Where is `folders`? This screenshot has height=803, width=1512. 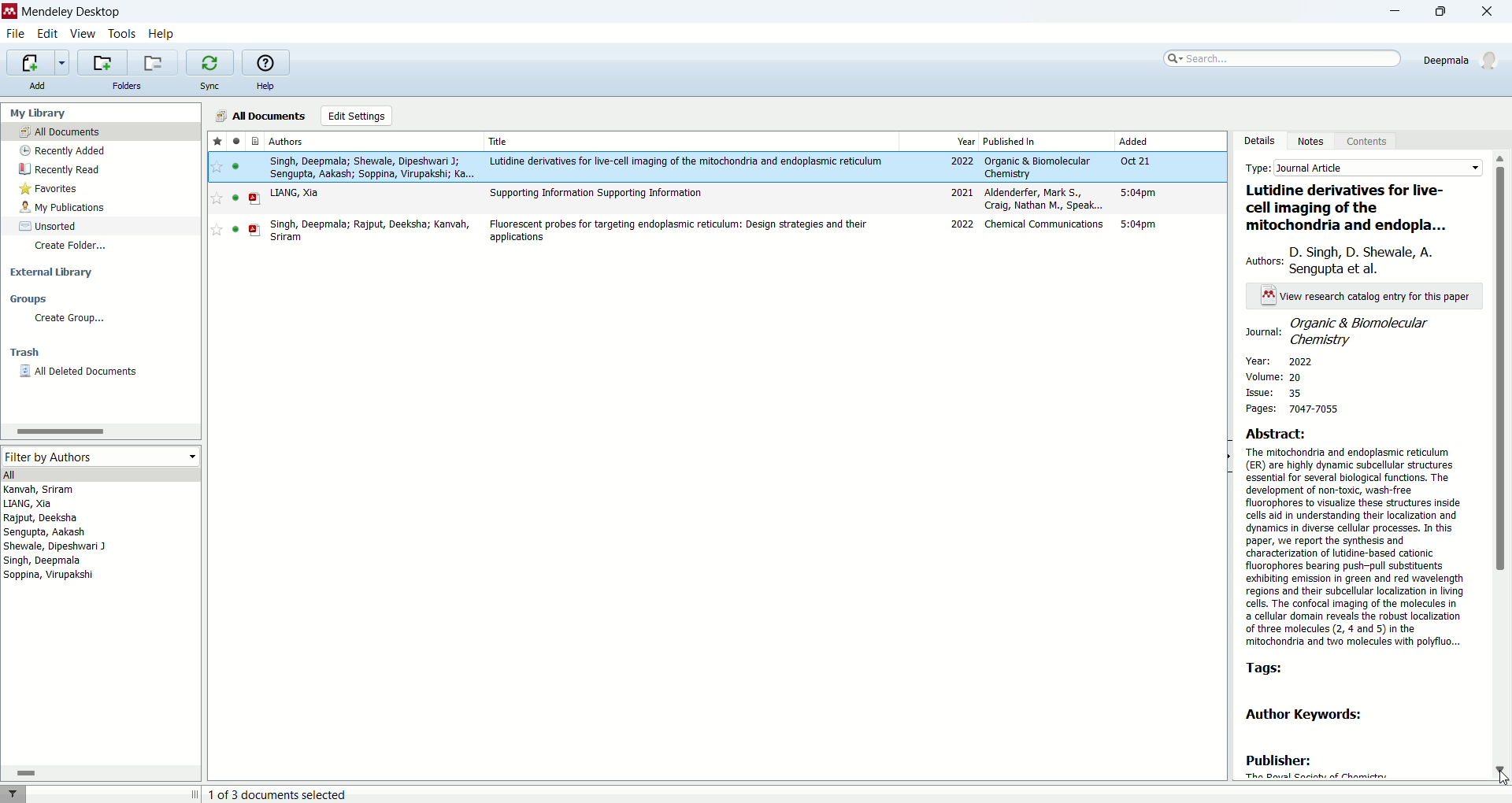
folders is located at coordinates (128, 86).